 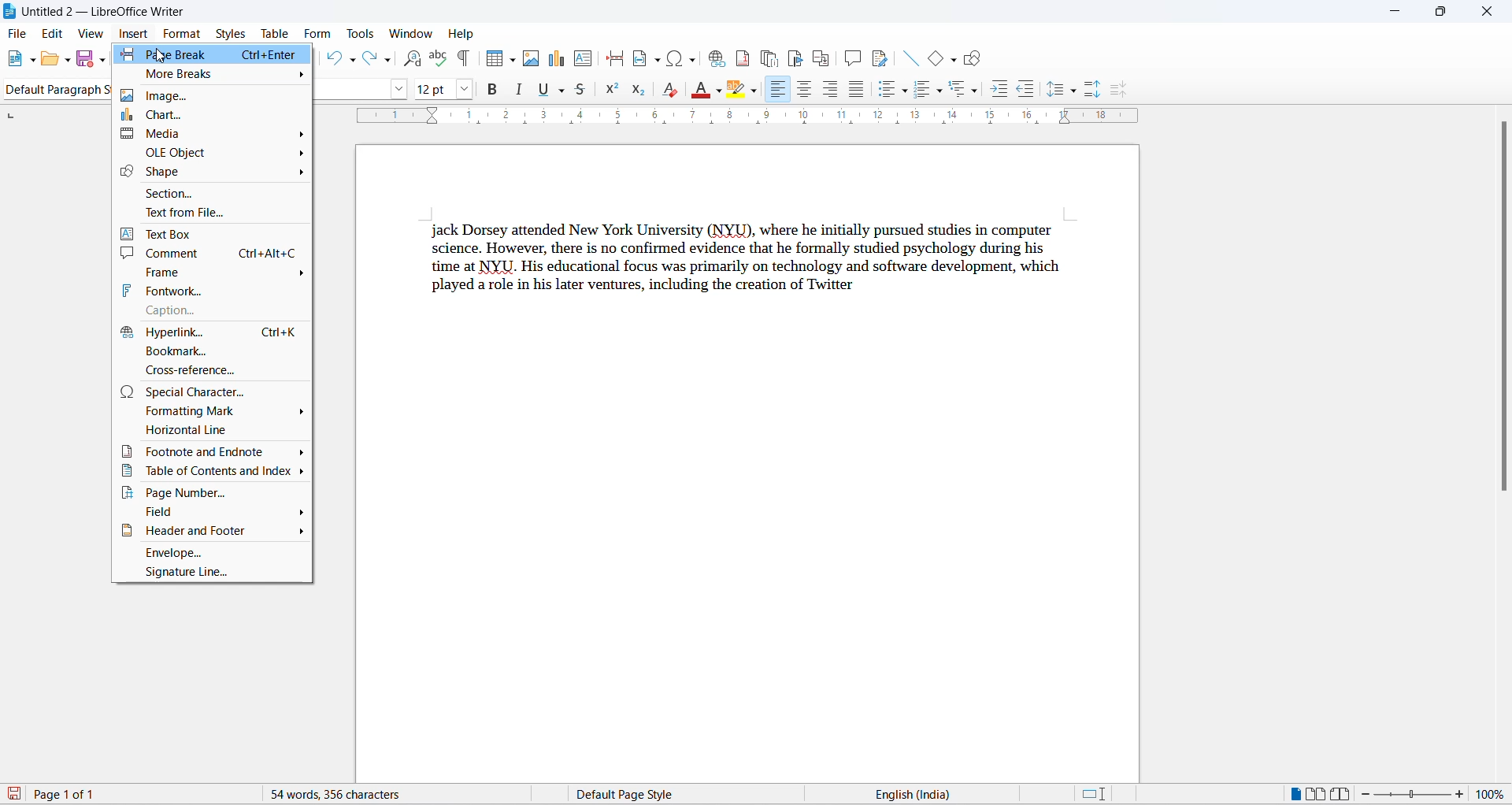 I want to click on insert, so click(x=135, y=33).